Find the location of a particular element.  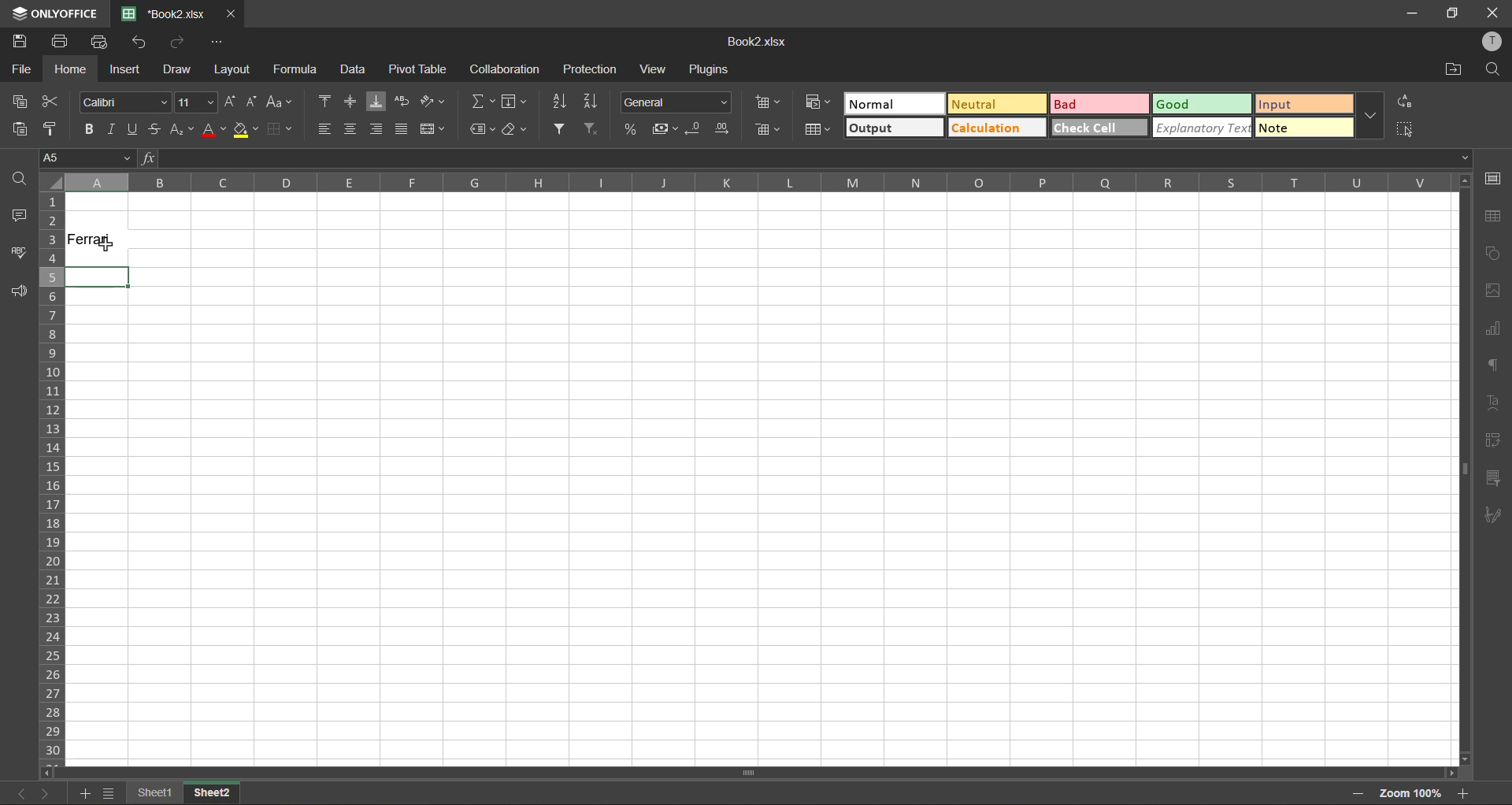

underline is located at coordinates (135, 130).